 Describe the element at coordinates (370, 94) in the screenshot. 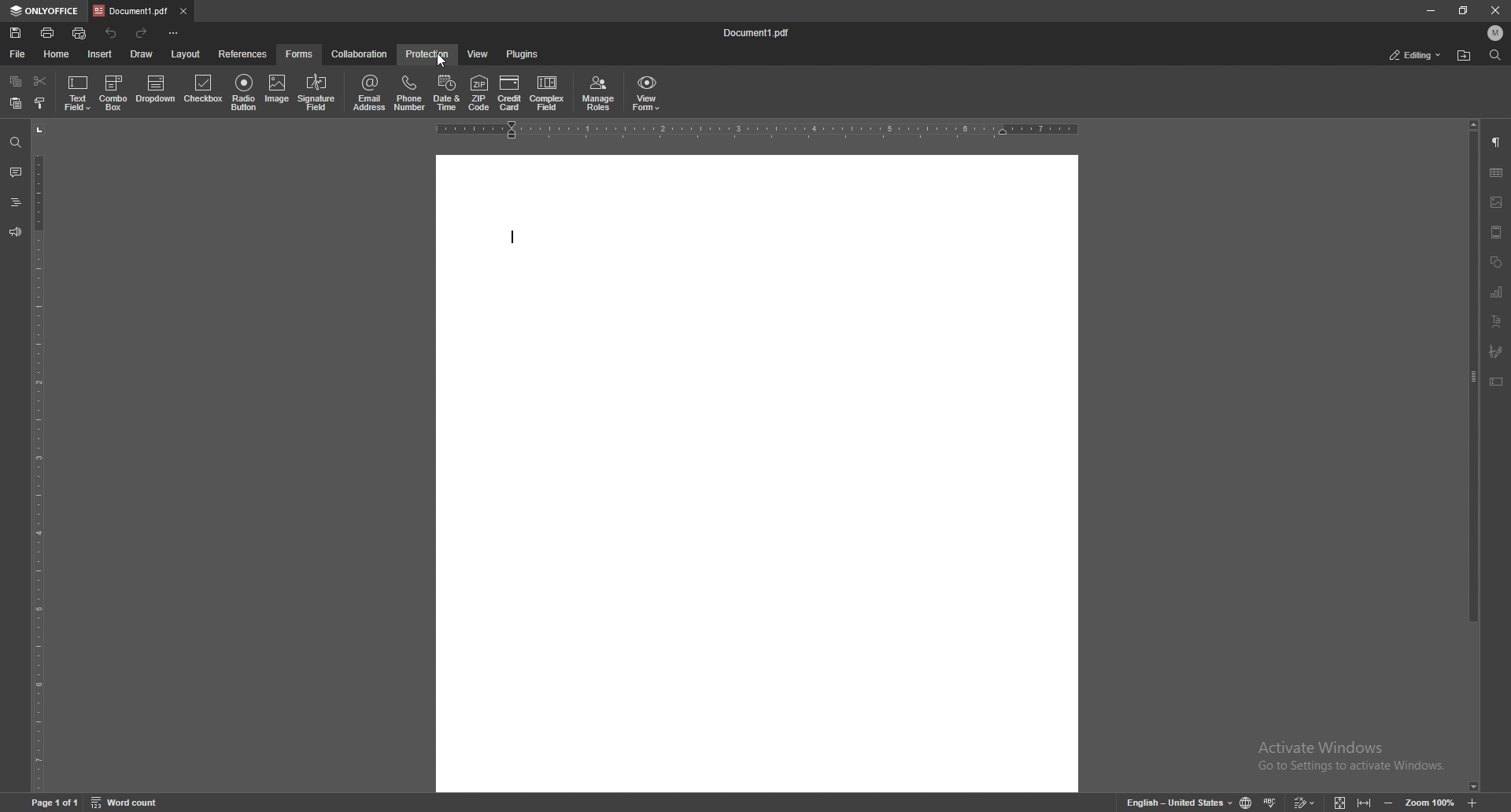

I see `email address` at that location.